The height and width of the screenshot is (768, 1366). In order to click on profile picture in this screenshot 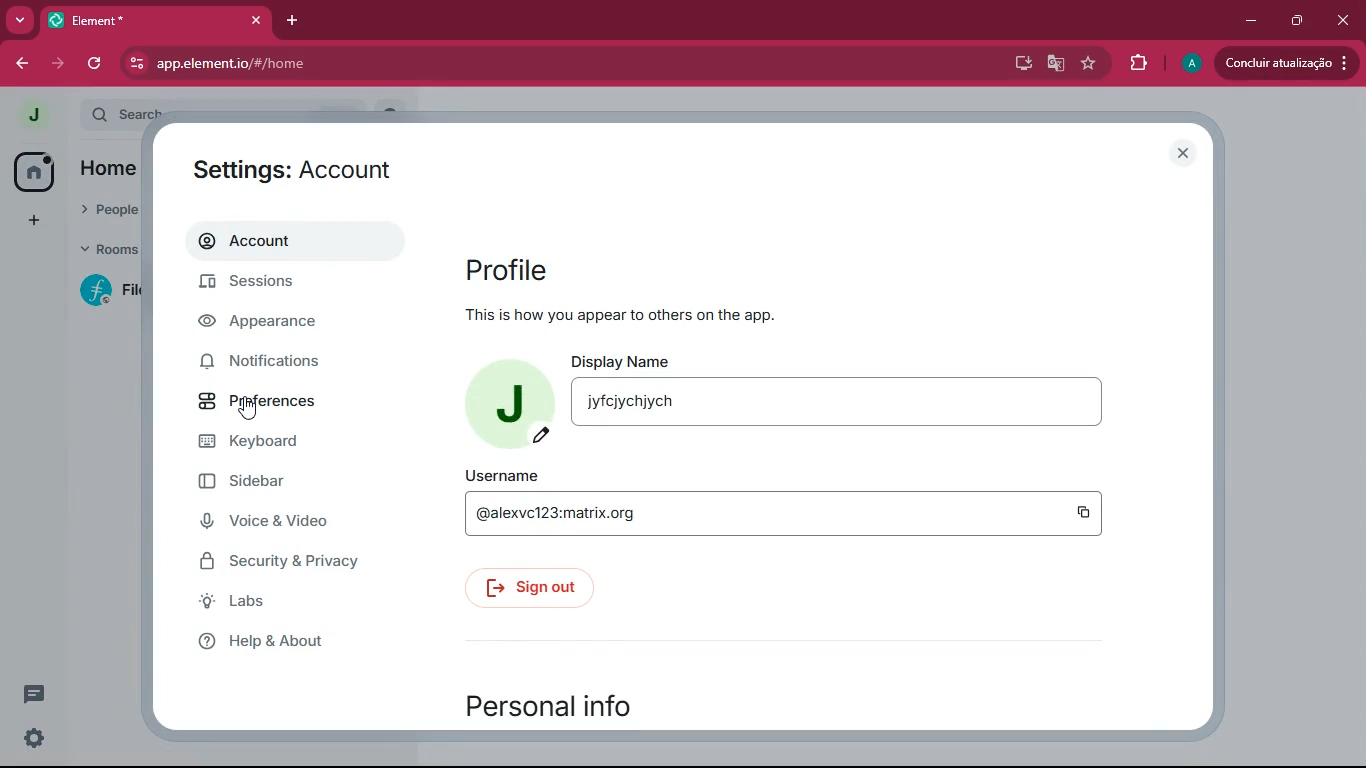, I will do `click(1189, 64)`.